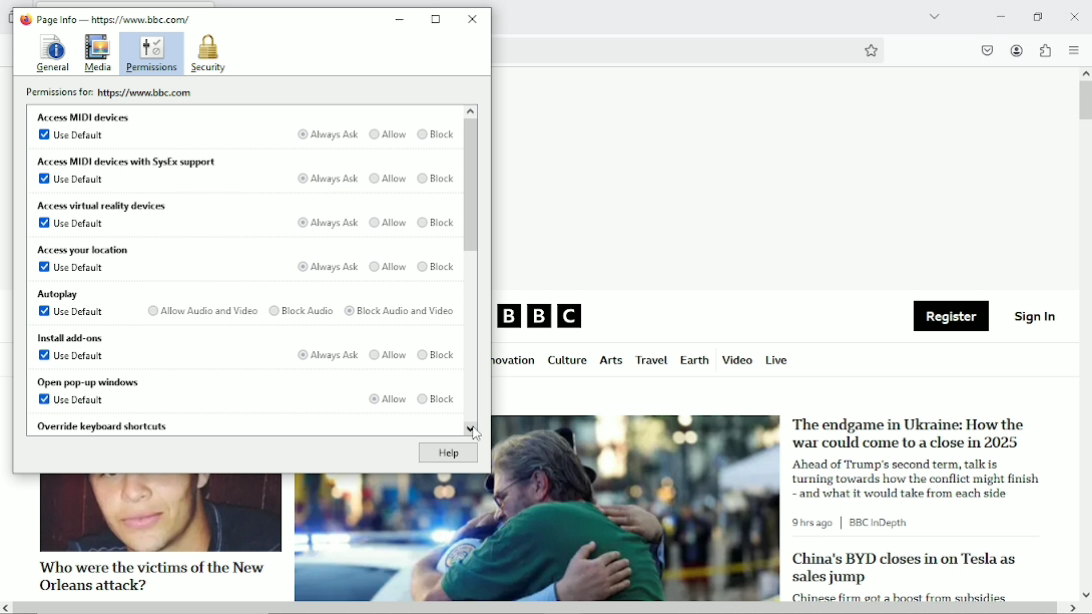 The height and width of the screenshot is (614, 1092). What do you see at coordinates (986, 50) in the screenshot?
I see `save to pocket` at bounding box center [986, 50].